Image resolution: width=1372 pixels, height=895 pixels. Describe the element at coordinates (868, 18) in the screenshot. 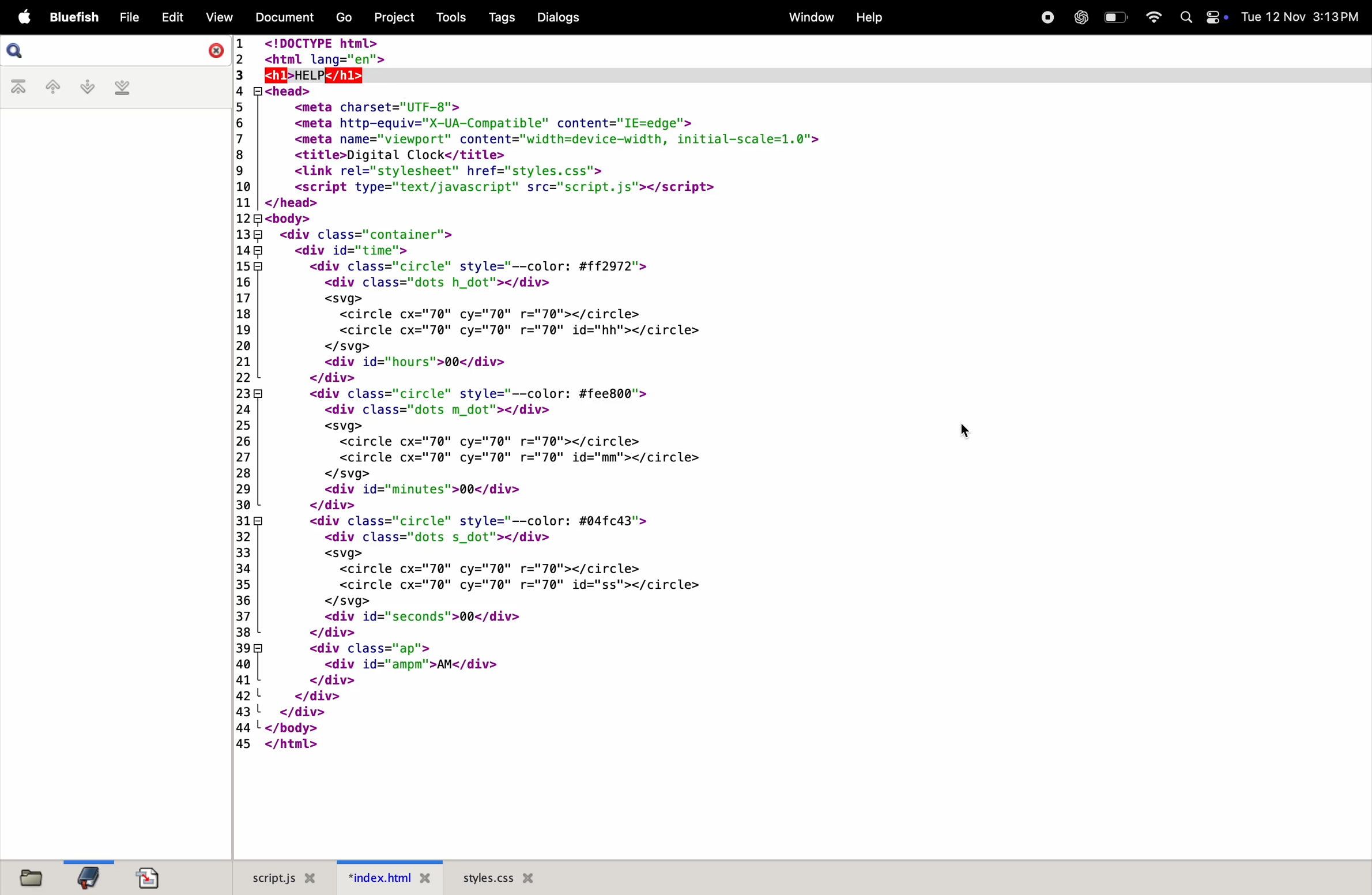

I see `help` at that location.